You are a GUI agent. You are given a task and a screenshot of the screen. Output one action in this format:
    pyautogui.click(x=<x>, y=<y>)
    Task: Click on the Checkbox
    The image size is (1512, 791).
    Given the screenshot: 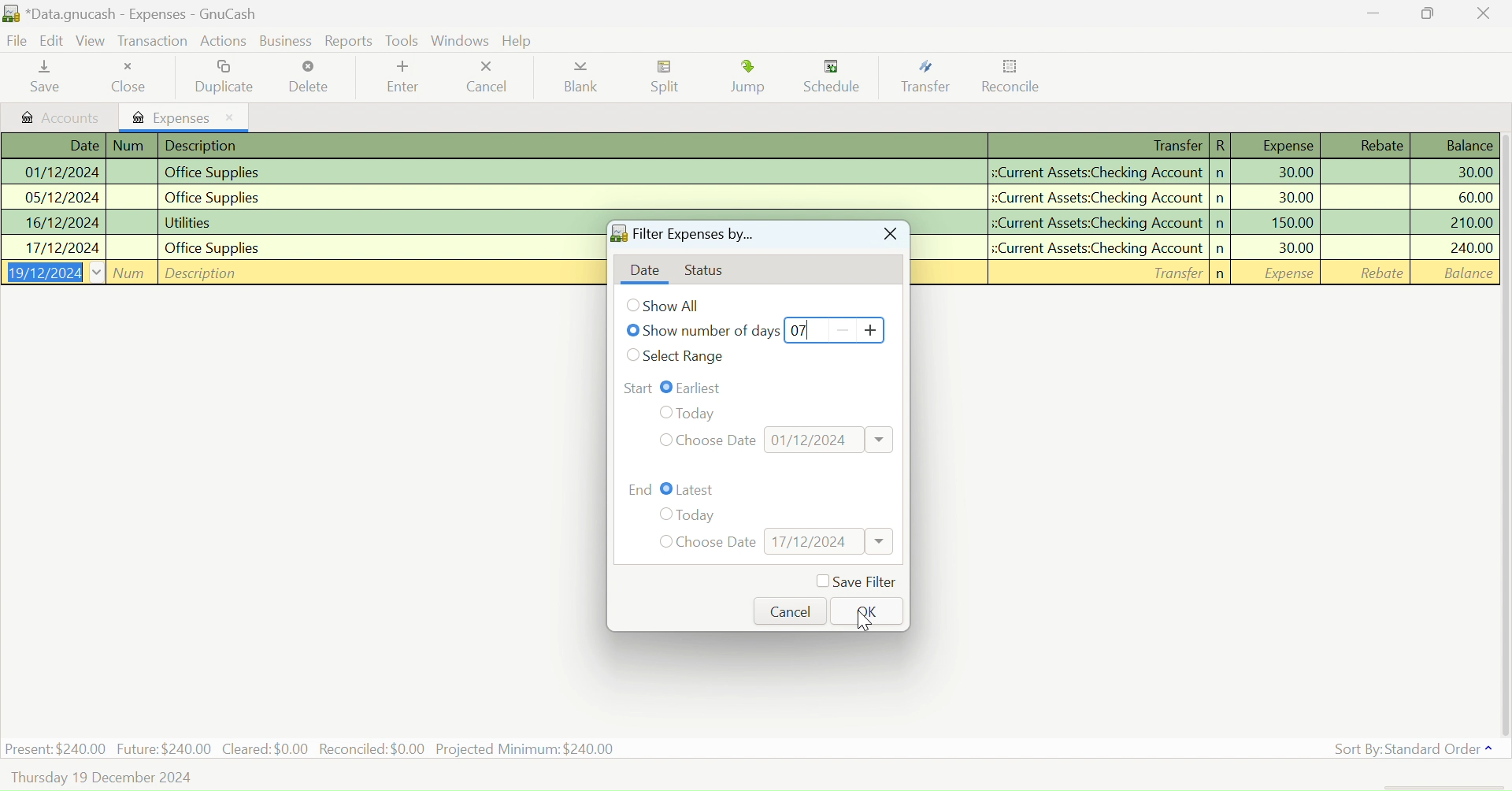 What is the action you would take?
    pyautogui.click(x=663, y=541)
    